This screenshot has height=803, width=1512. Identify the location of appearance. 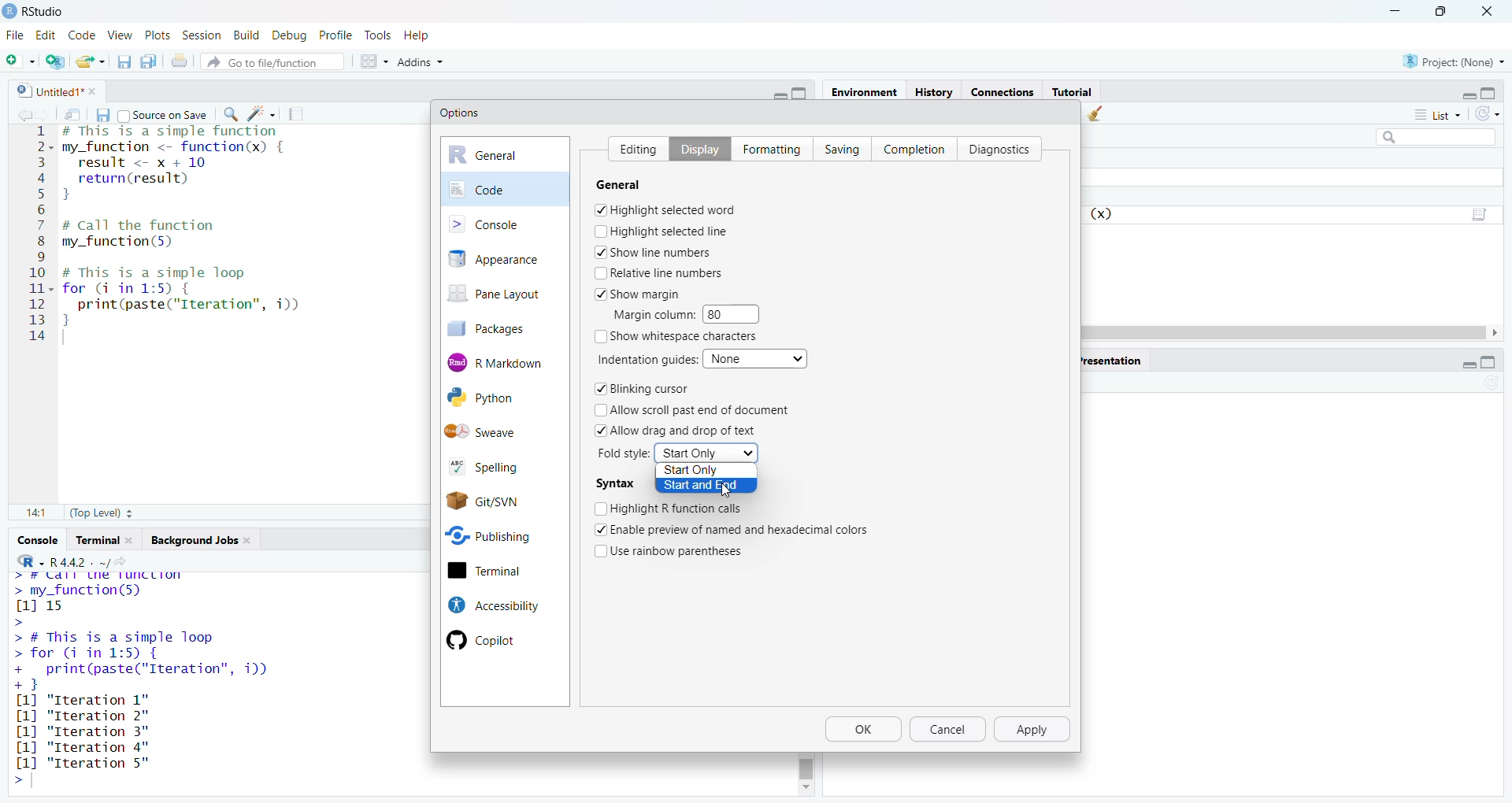
(505, 259).